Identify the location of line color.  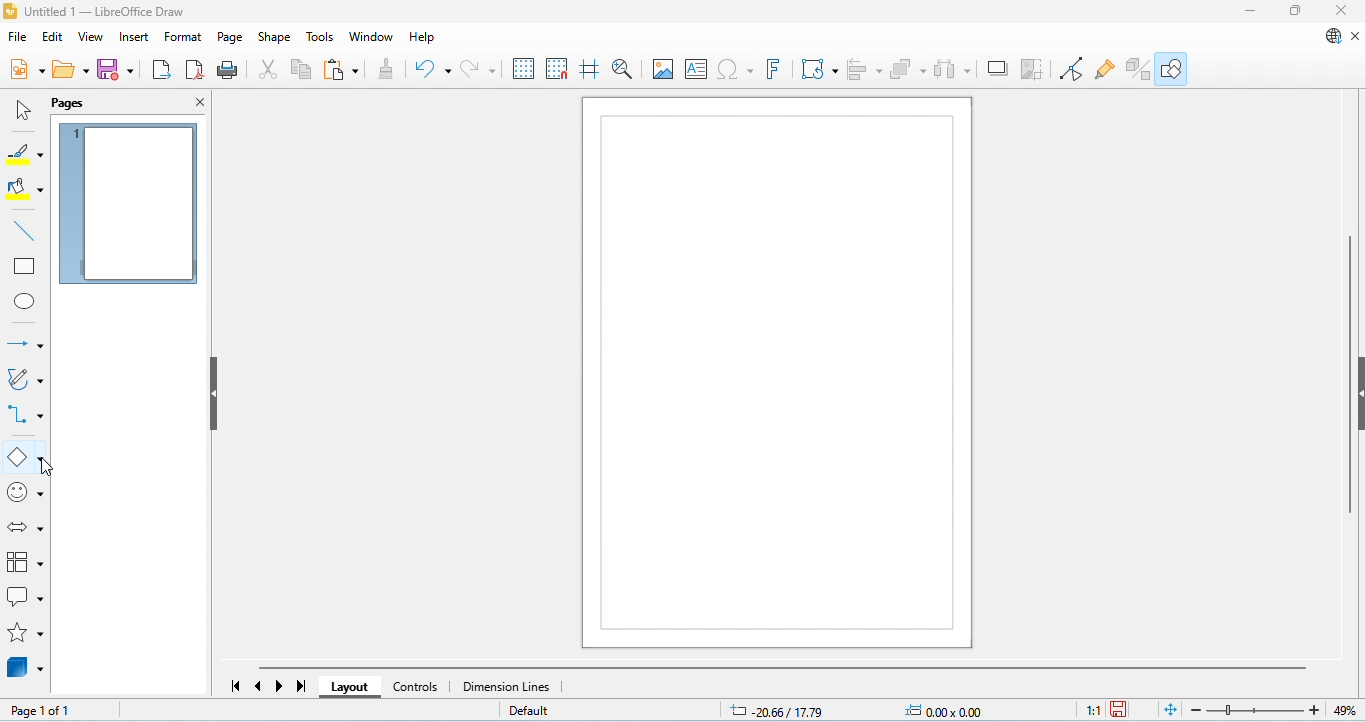
(24, 152).